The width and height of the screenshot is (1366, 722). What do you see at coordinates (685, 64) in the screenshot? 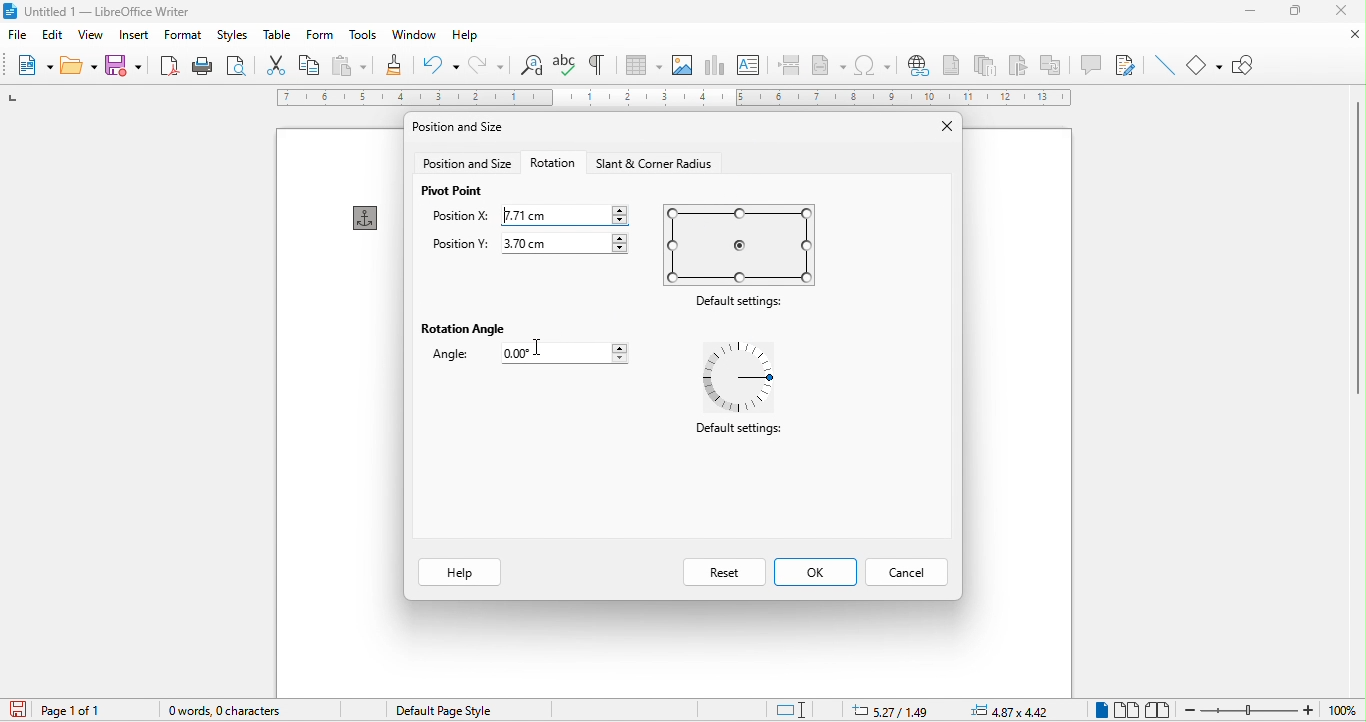
I see `image` at bounding box center [685, 64].